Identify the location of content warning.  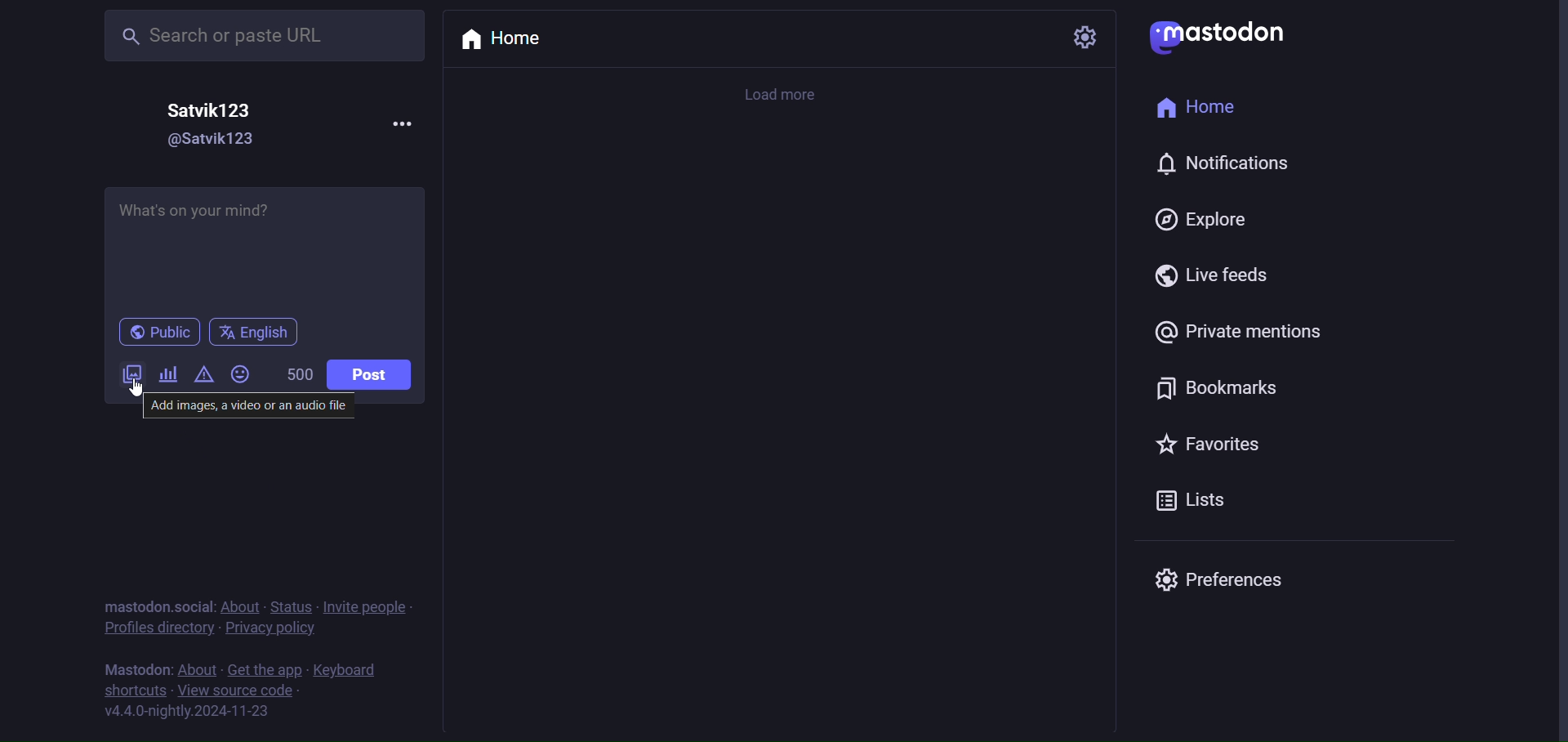
(203, 375).